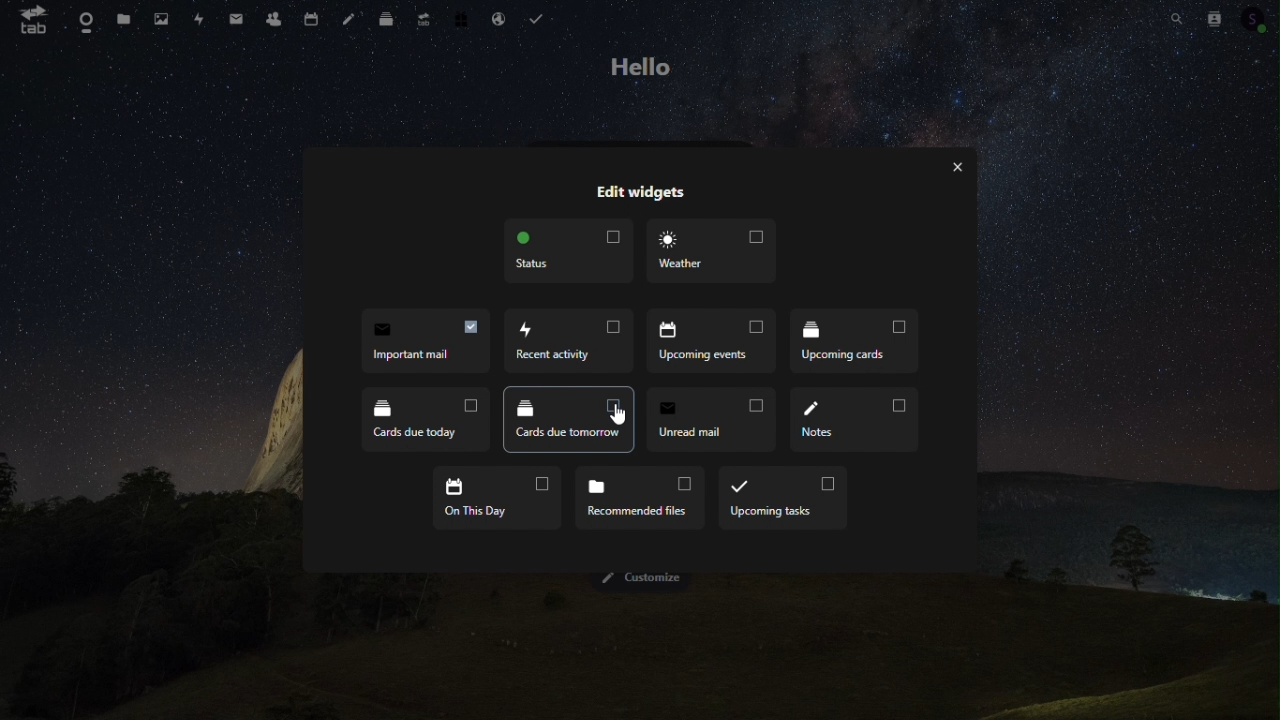  I want to click on customize, so click(641, 580).